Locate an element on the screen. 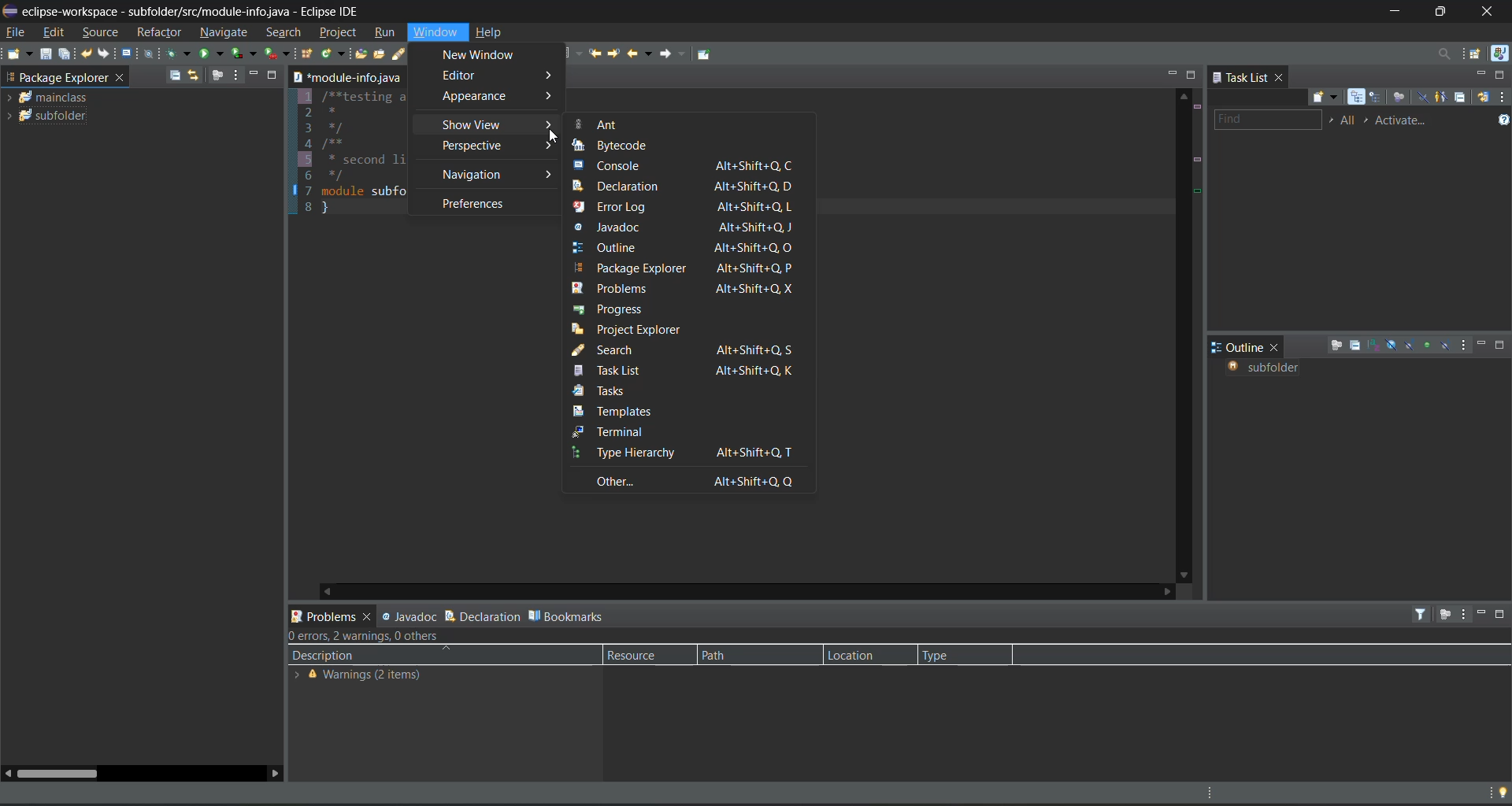  forward is located at coordinates (675, 57).